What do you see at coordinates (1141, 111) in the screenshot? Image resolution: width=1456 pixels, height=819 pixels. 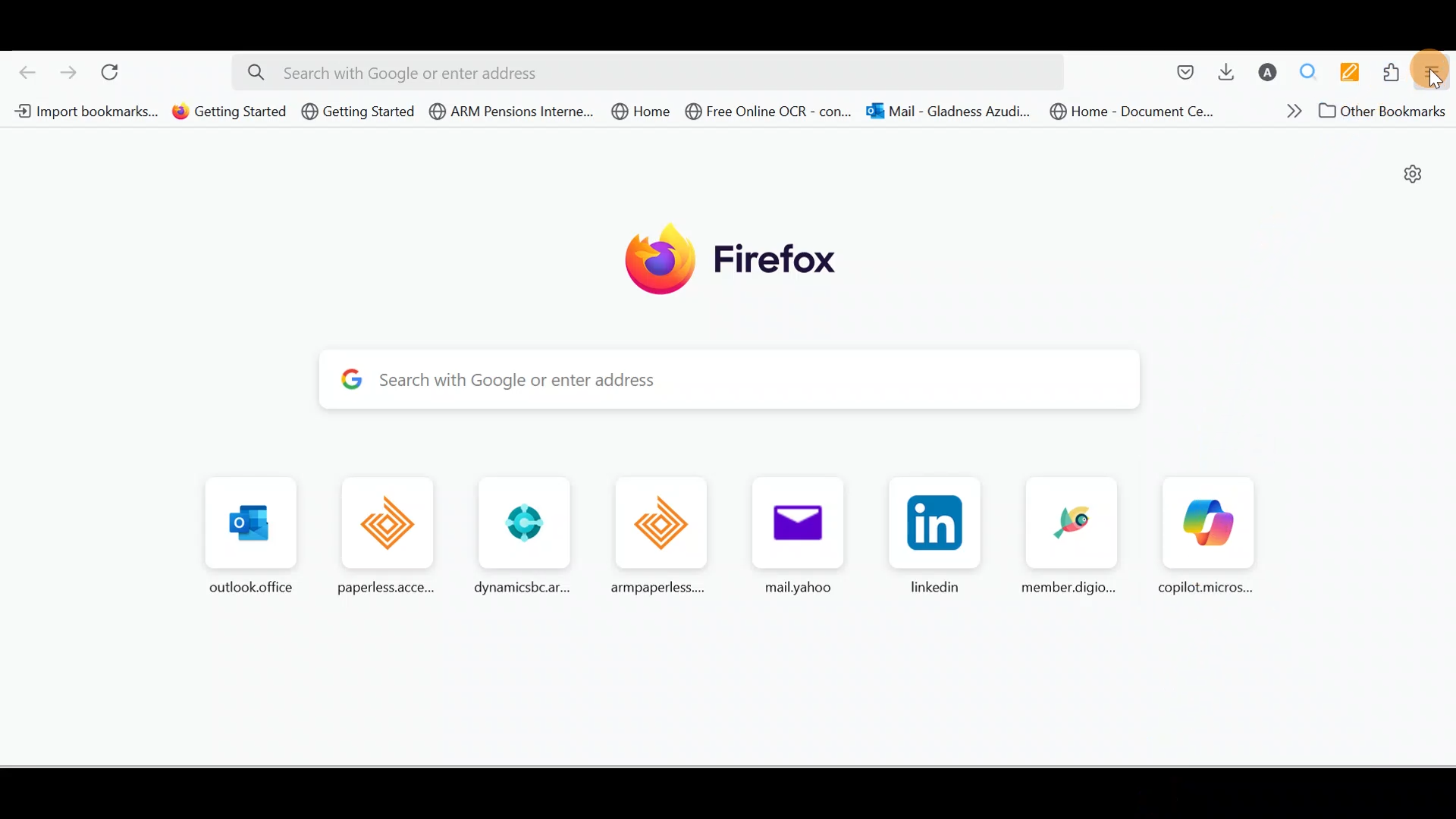 I see `‘Home - Document Ce...` at bounding box center [1141, 111].